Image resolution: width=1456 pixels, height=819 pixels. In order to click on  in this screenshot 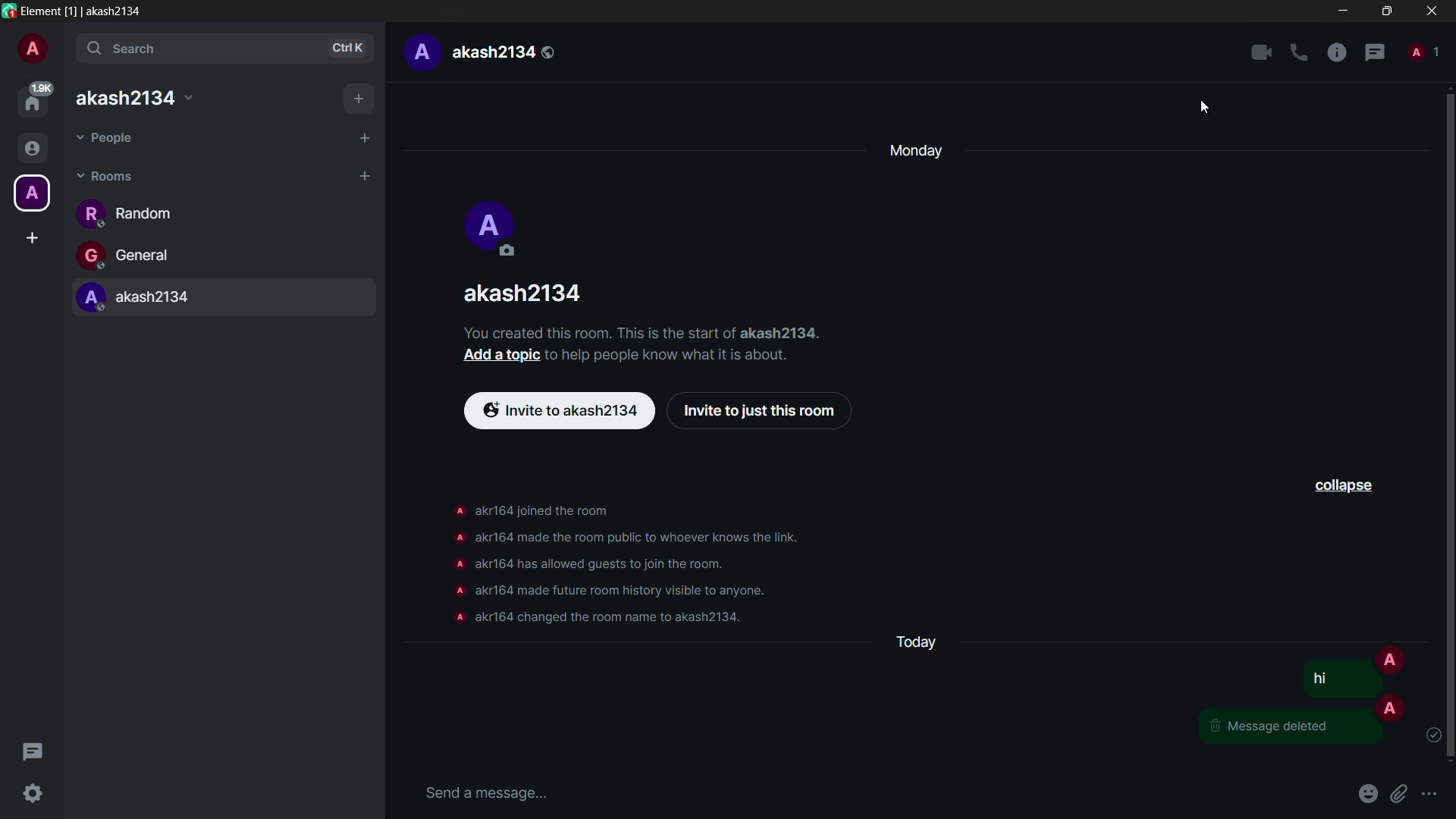, I will do `click(1327, 681)`.